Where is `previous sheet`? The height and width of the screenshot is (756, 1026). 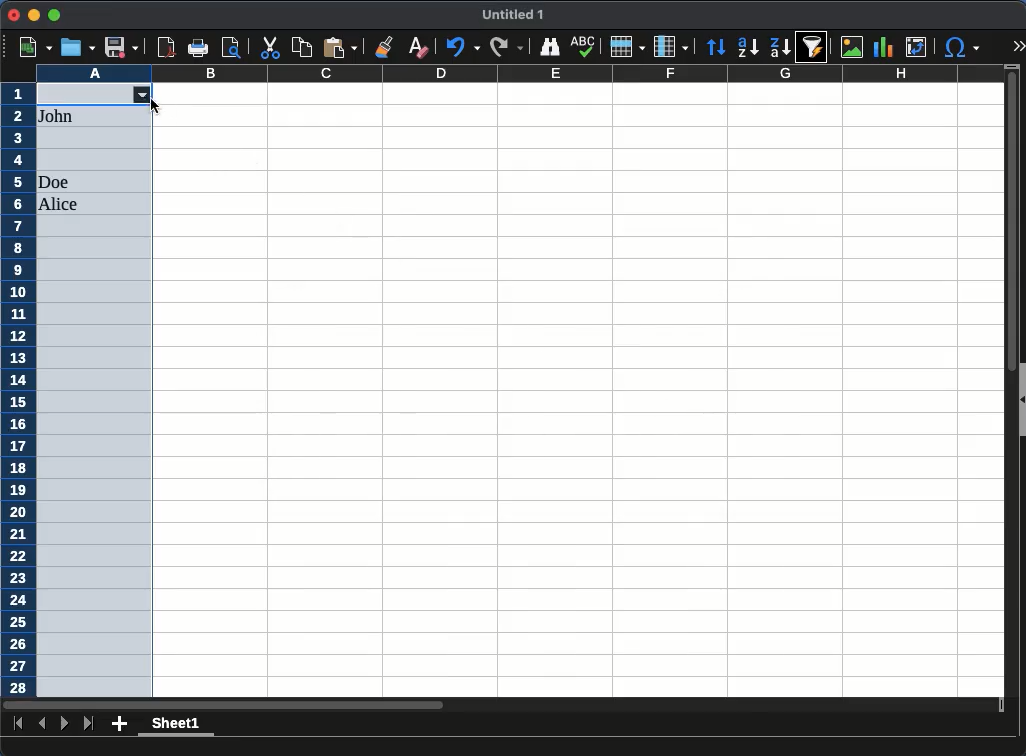 previous sheet is located at coordinates (44, 723).